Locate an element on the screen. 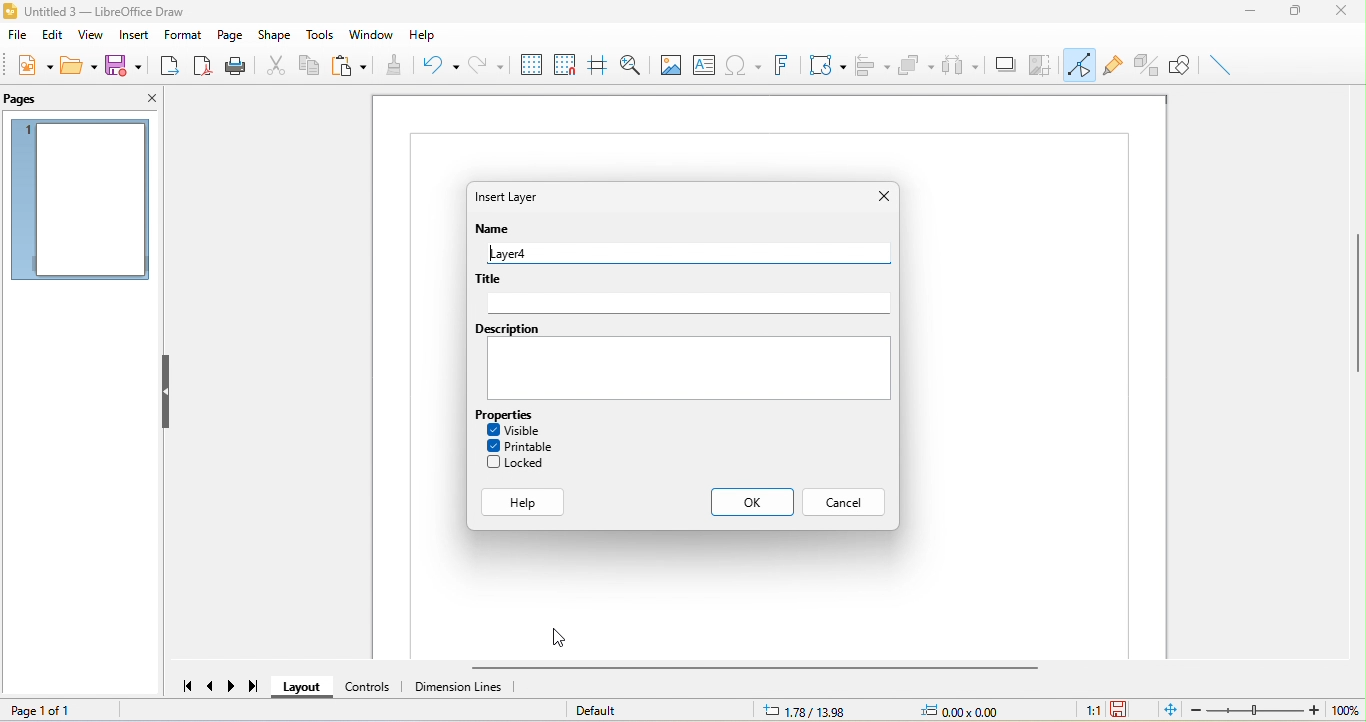 The height and width of the screenshot is (722, 1366). save is located at coordinates (129, 65).